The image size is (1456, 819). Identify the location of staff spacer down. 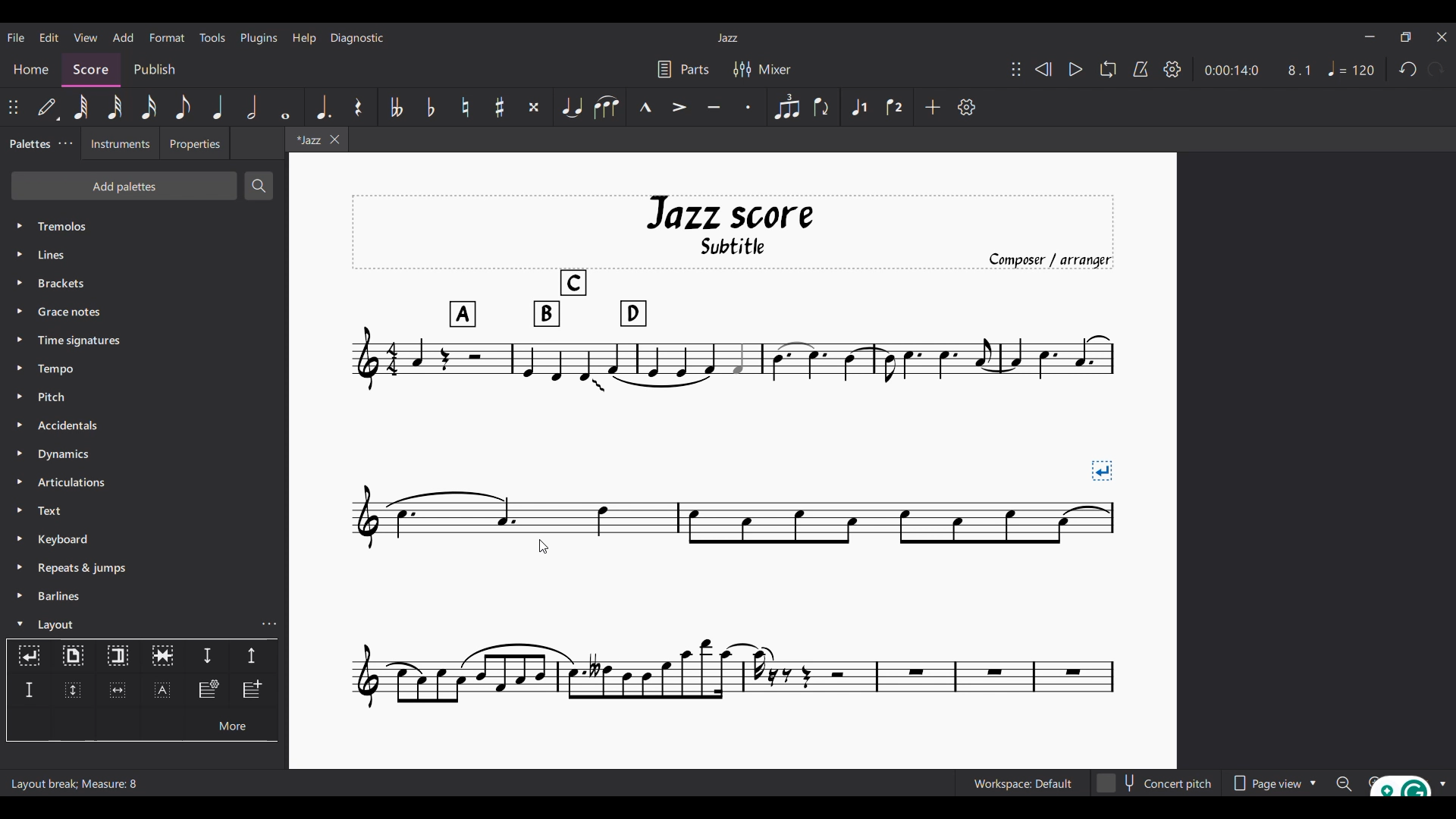
(207, 657).